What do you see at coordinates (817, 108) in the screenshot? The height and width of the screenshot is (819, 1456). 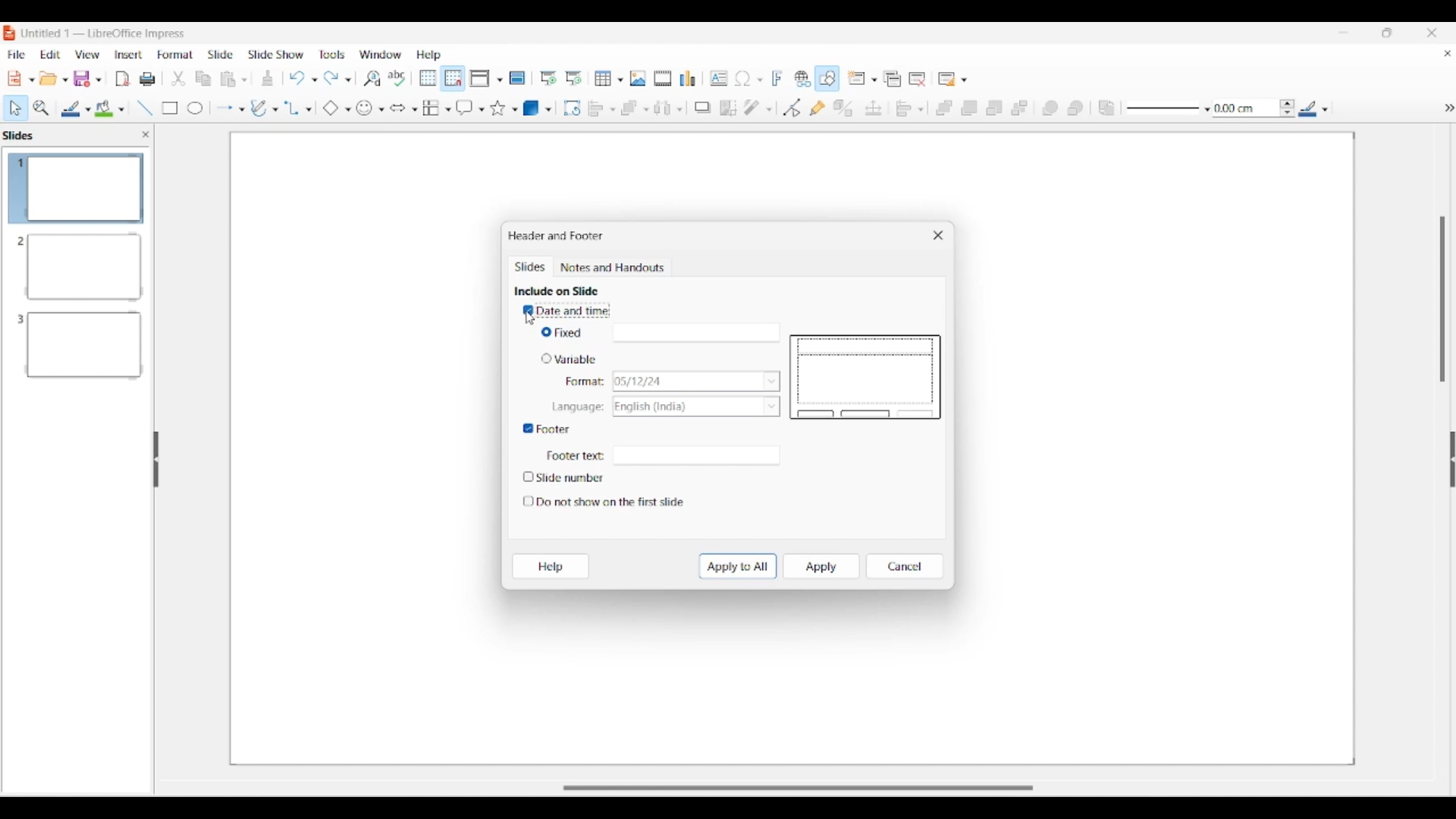 I see `Show gluepoint functions` at bounding box center [817, 108].